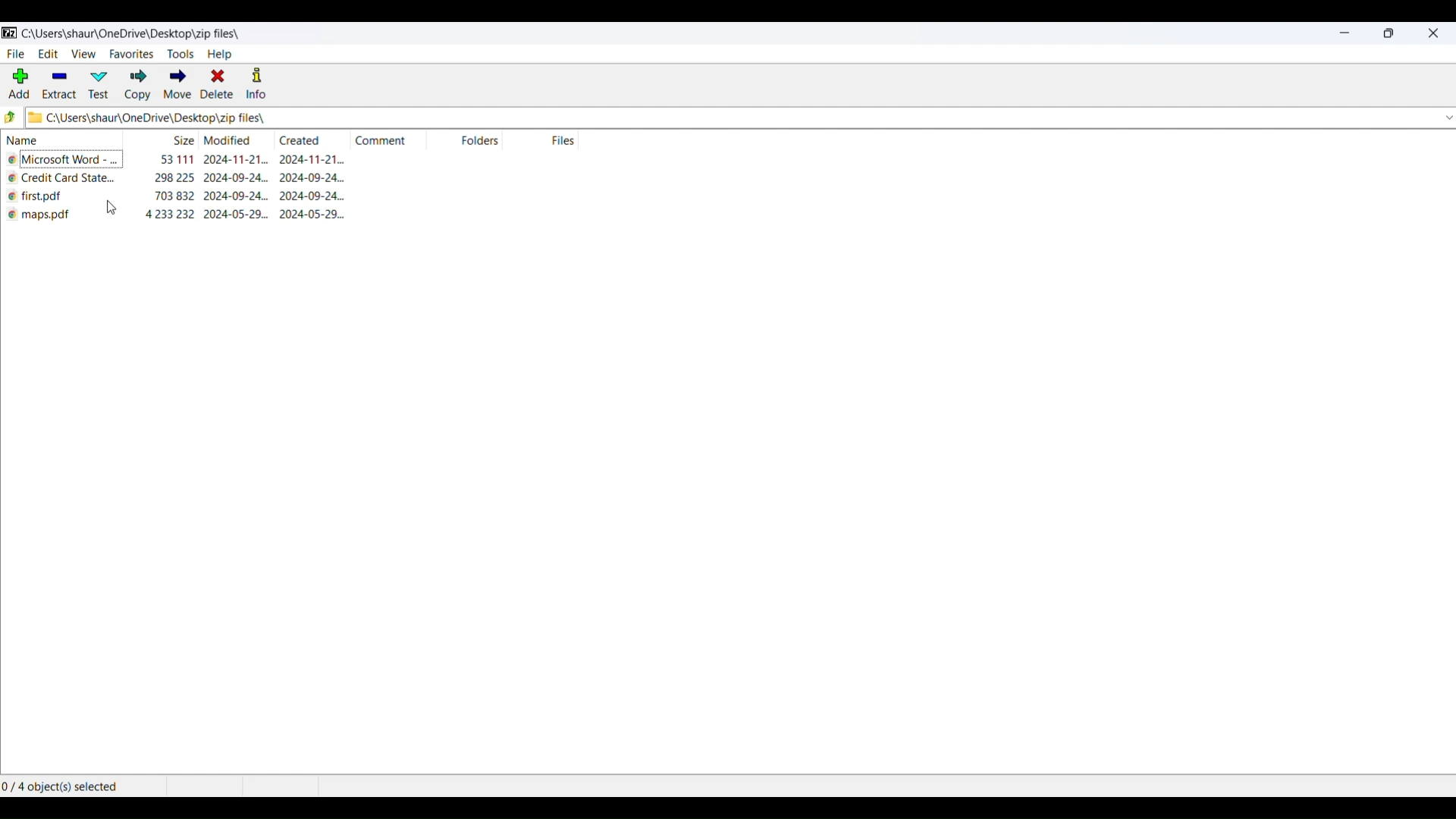  I want to click on file creation date, so click(319, 215).